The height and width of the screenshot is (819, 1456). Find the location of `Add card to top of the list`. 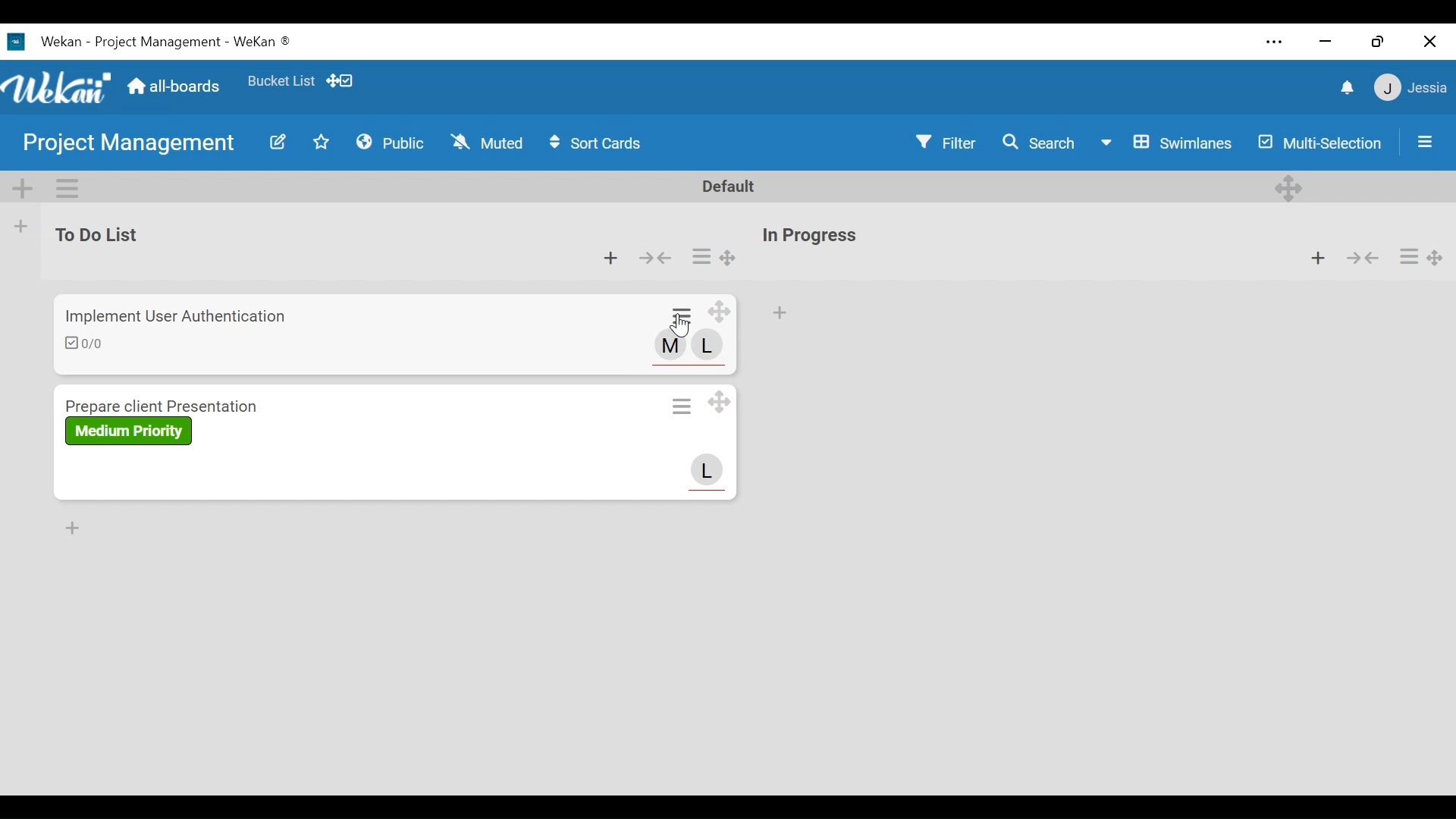

Add card to top of the list is located at coordinates (611, 259).